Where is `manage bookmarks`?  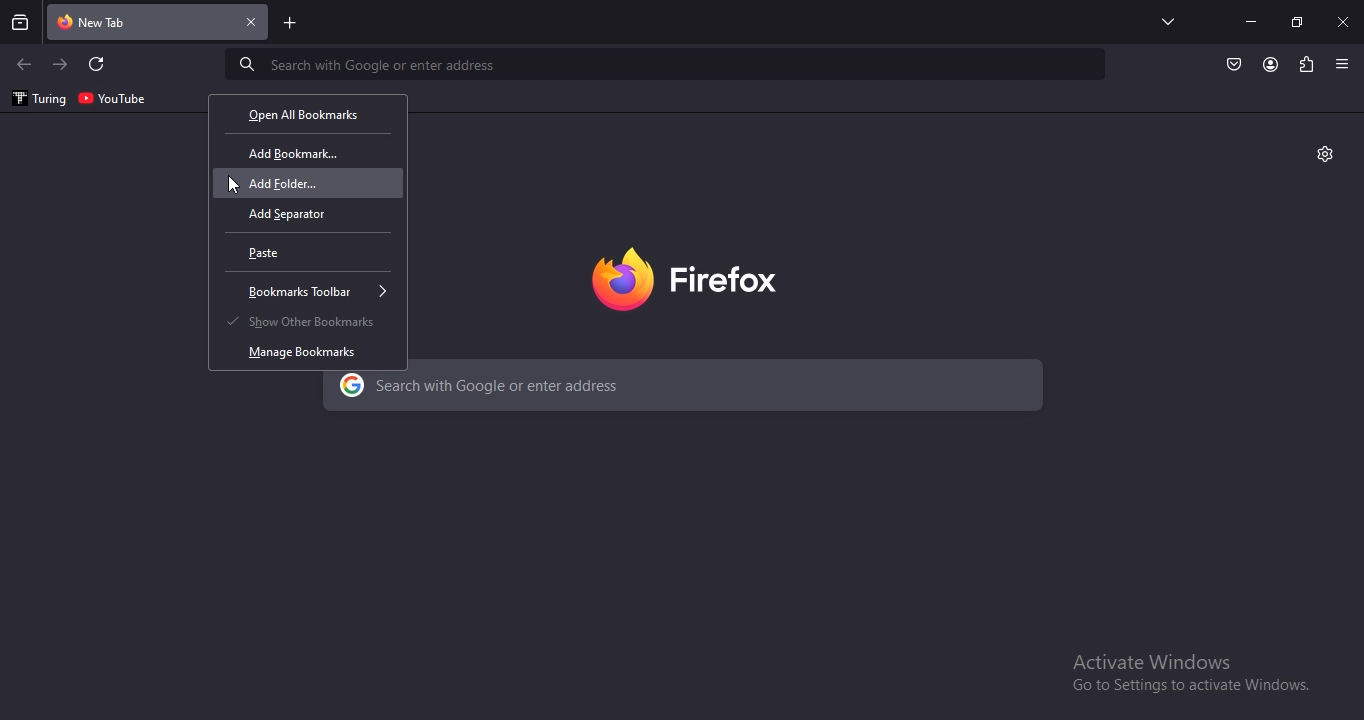
manage bookmarks is located at coordinates (304, 351).